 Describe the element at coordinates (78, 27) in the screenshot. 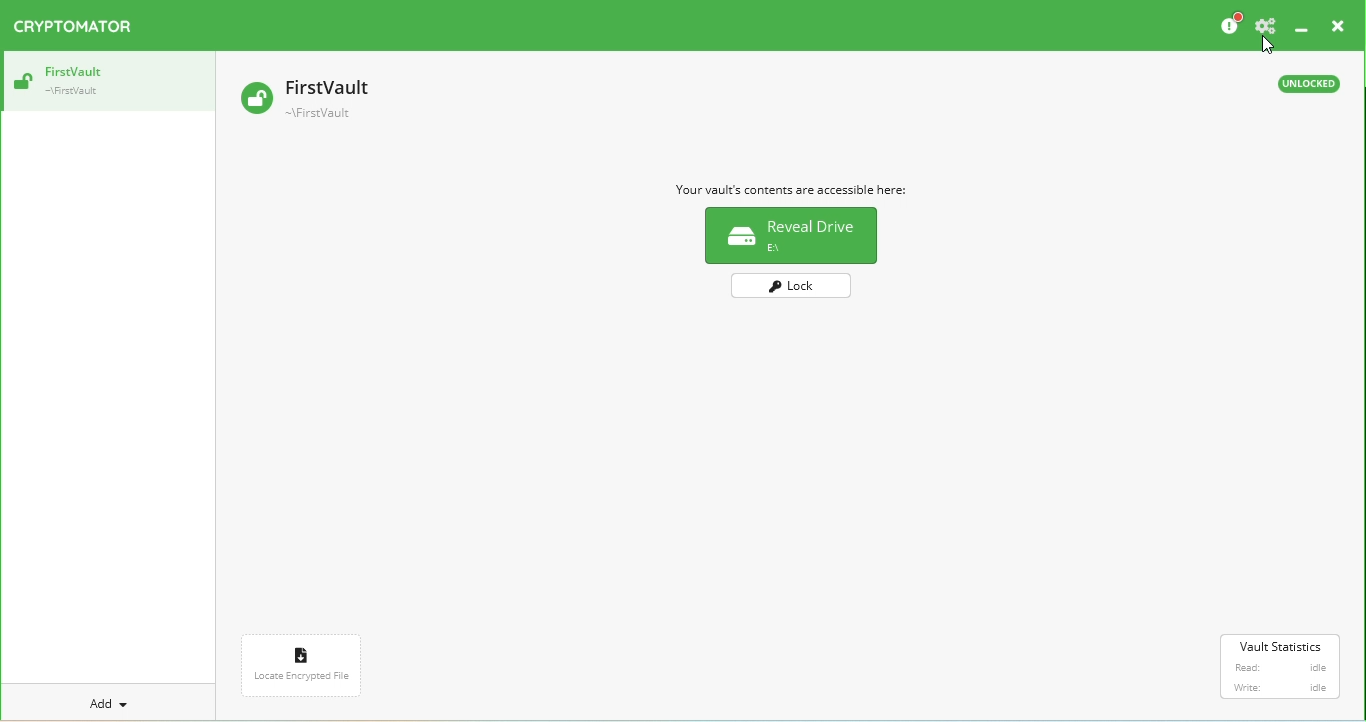

I see `Cryptomator logo` at that location.